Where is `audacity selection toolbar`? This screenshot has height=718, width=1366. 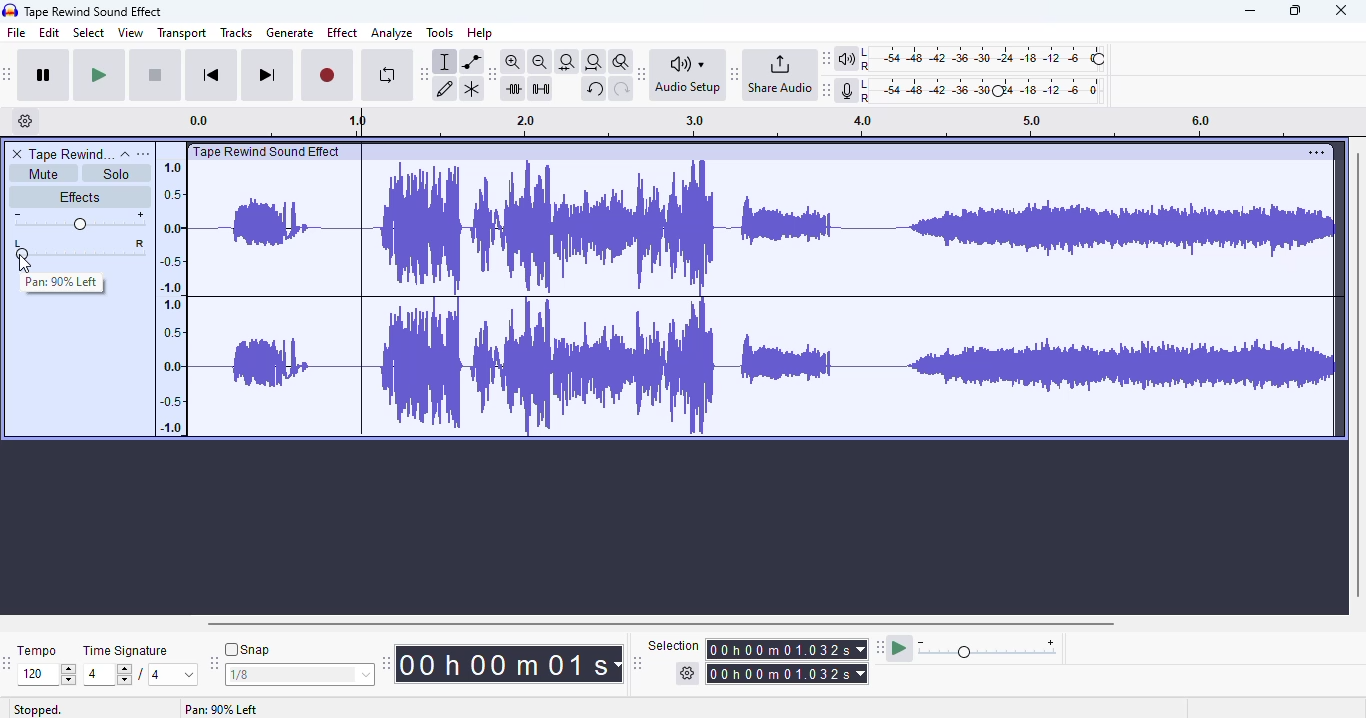
audacity selection toolbar is located at coordinates (637, 663).